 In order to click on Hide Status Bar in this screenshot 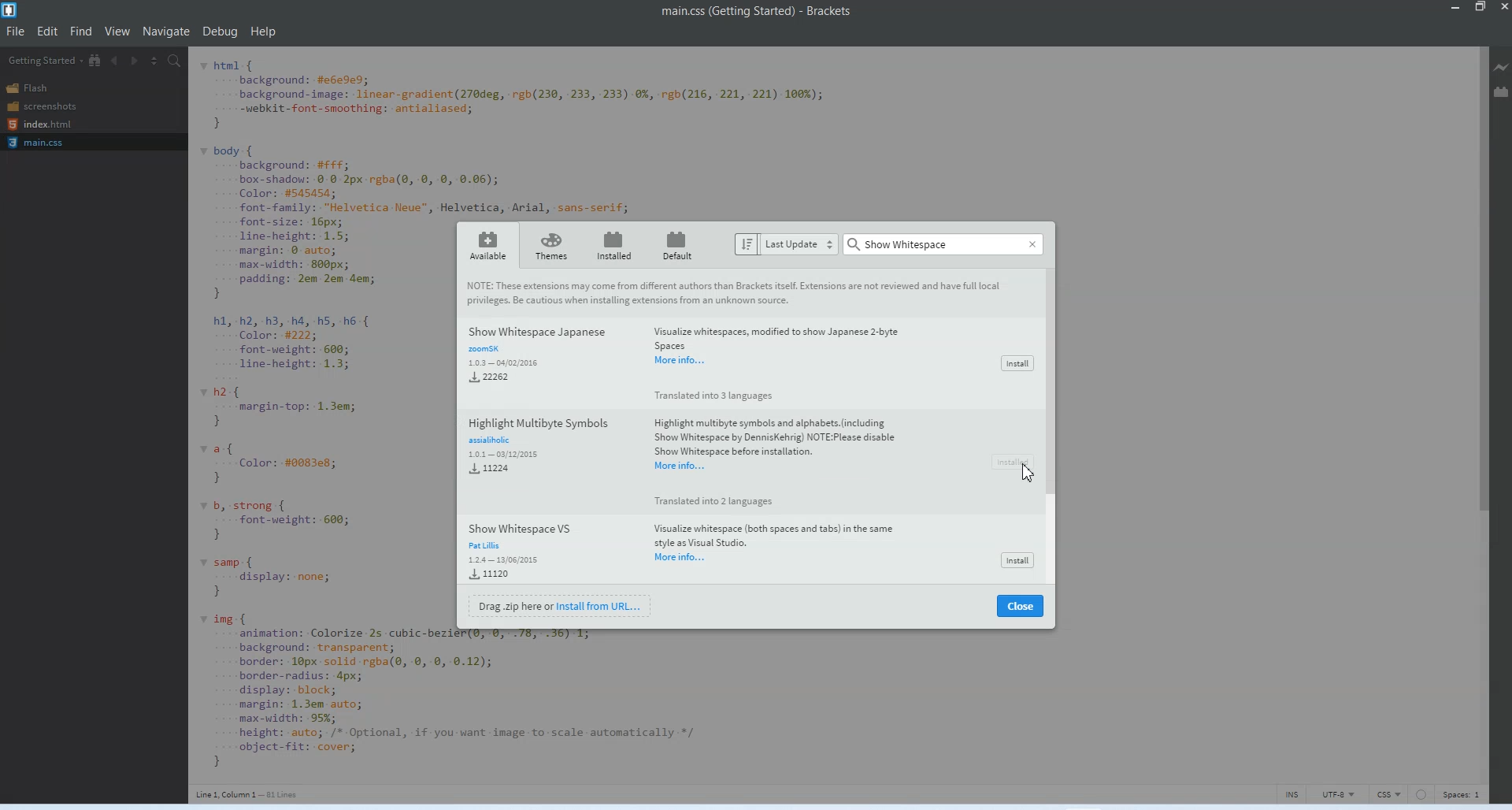, I will do `click(689, 549)`.